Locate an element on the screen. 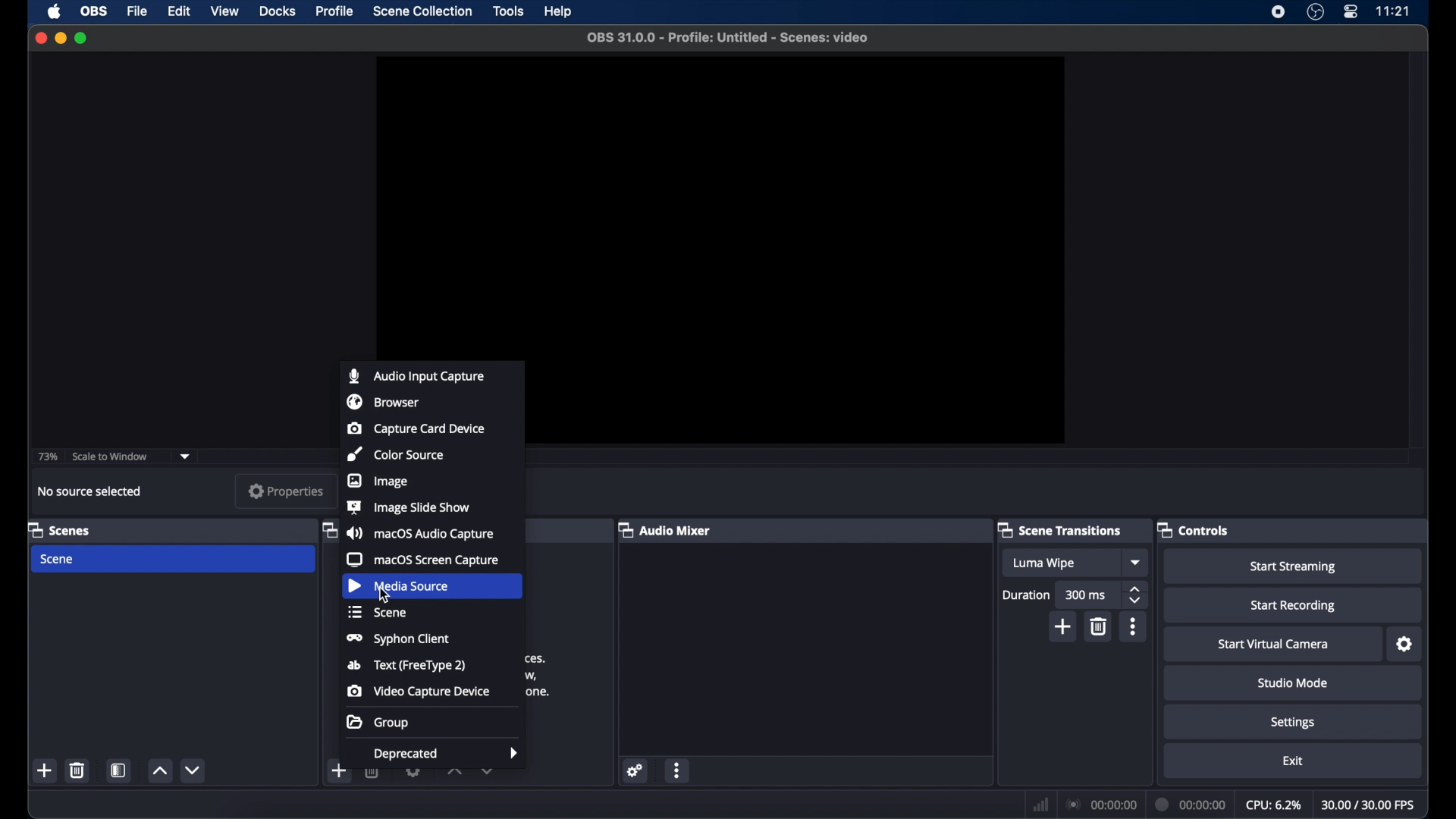 The height and width of the screenshot is (819, 1456). settings is located at coordinates (1294, 723).